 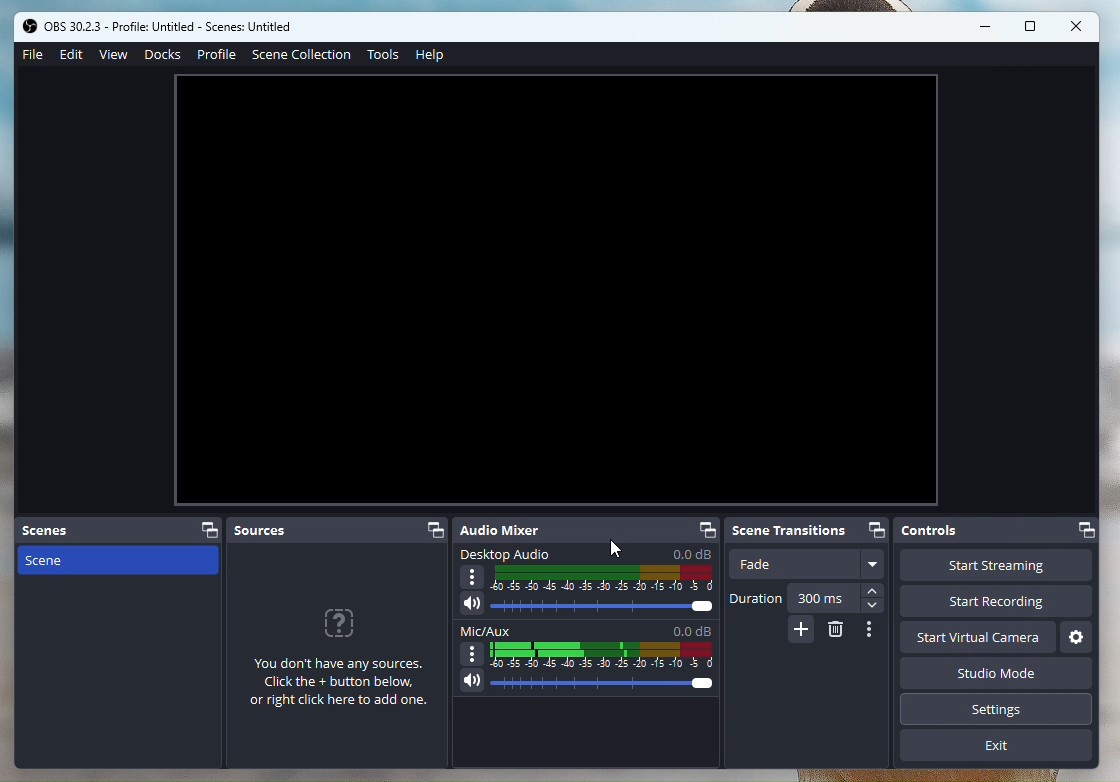 What do you see at coordinates (1074, 26) in the screenshot?
I see `Close` at bounding box center [1074, 26].